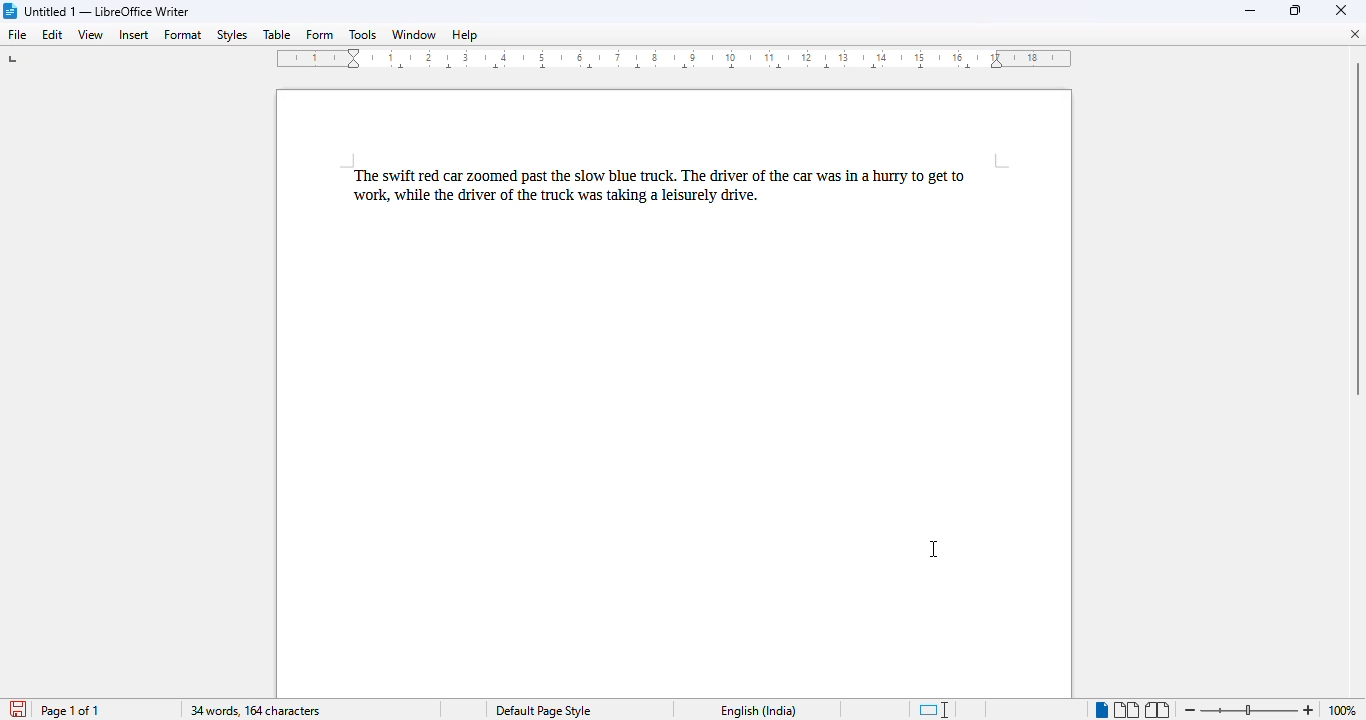 This screenshot has width=1366, height=720. What do you see at coordinates (70, 710) in the screenshot?
I see `page 1 of 1` at bounding box center [70, 710].